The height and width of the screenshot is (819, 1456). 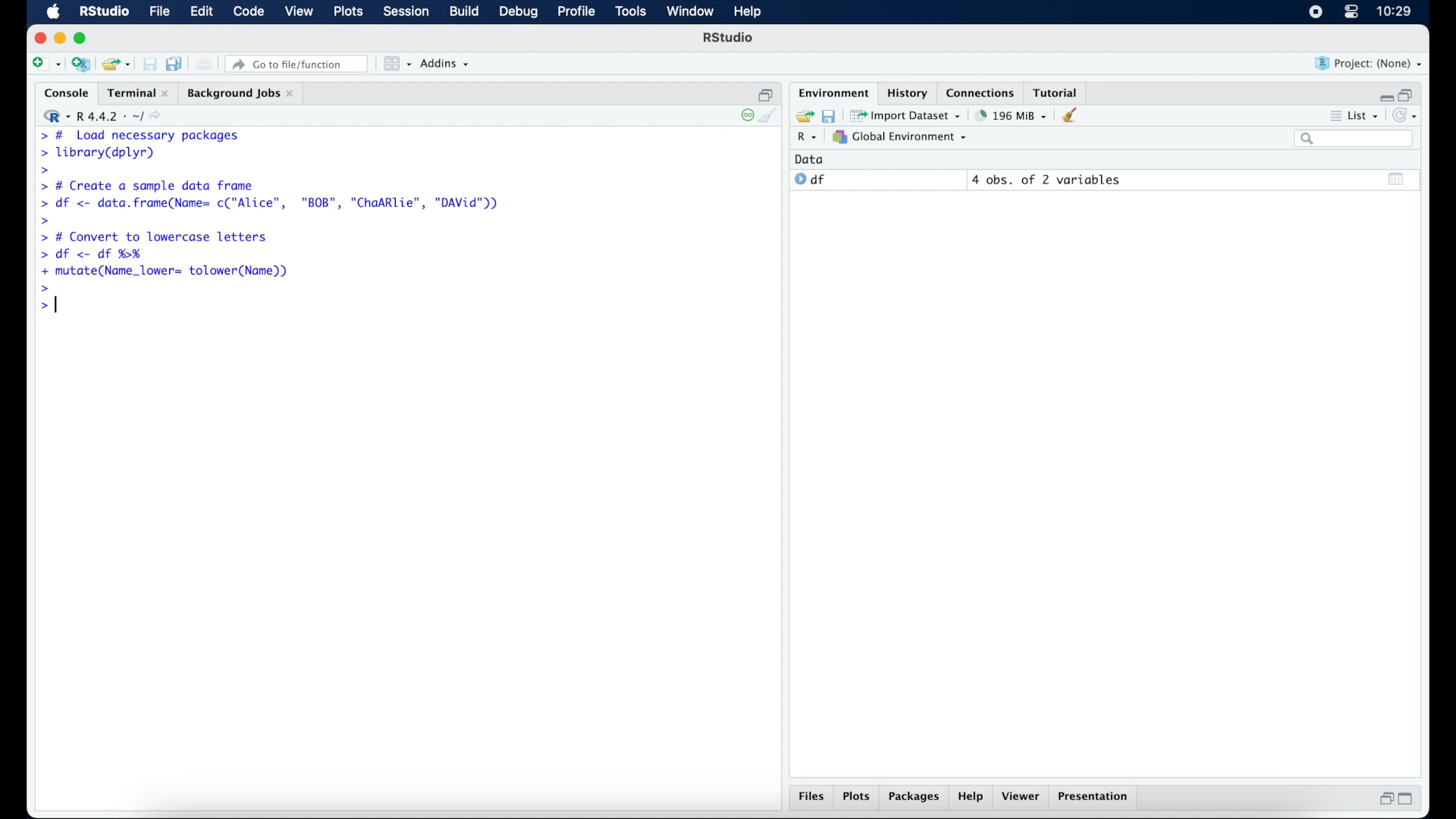 I want to click on load existing project, so click(x=115, y=64).